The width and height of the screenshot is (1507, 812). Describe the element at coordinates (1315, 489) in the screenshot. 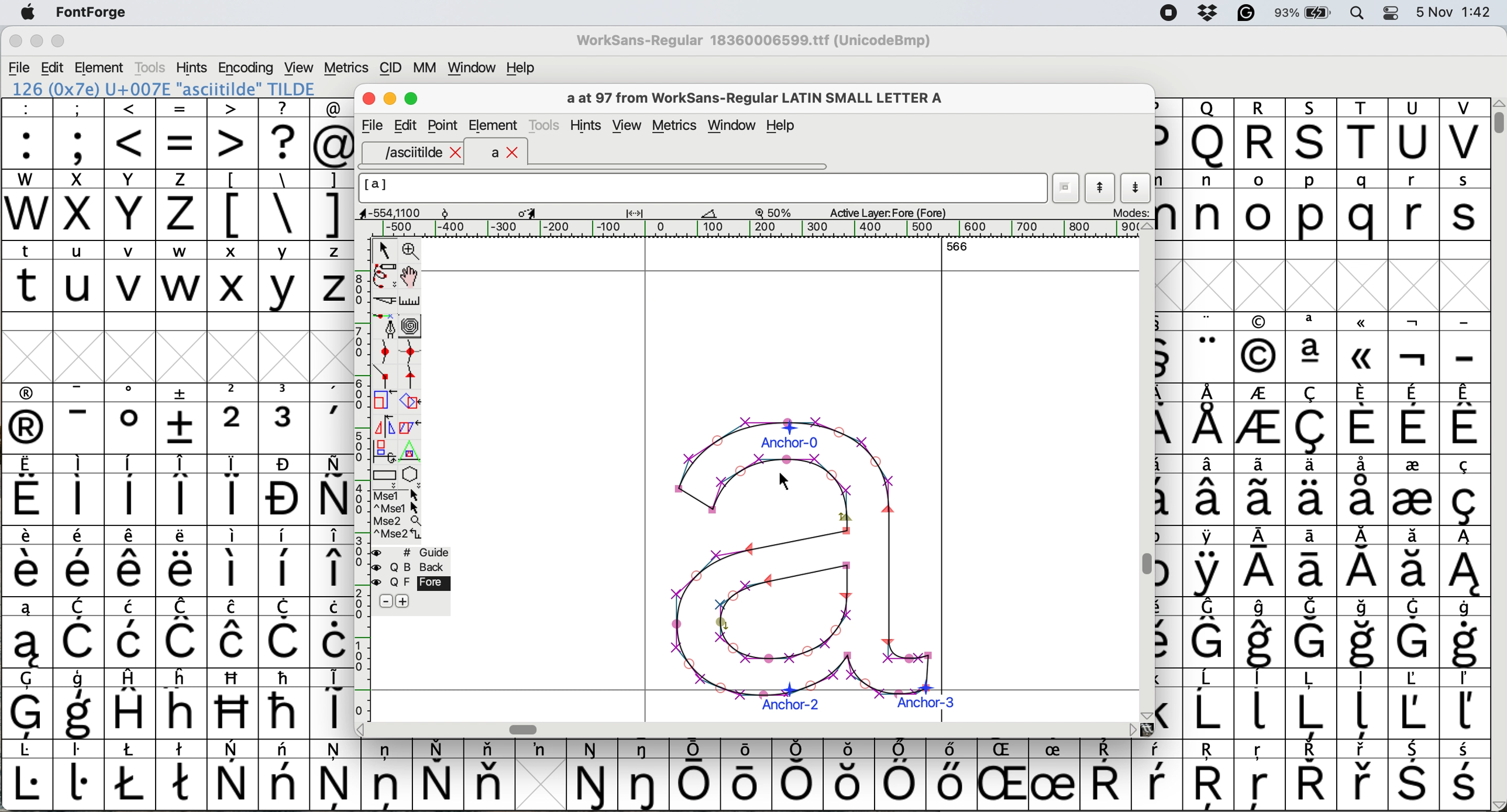

I see `symbol` at that location.